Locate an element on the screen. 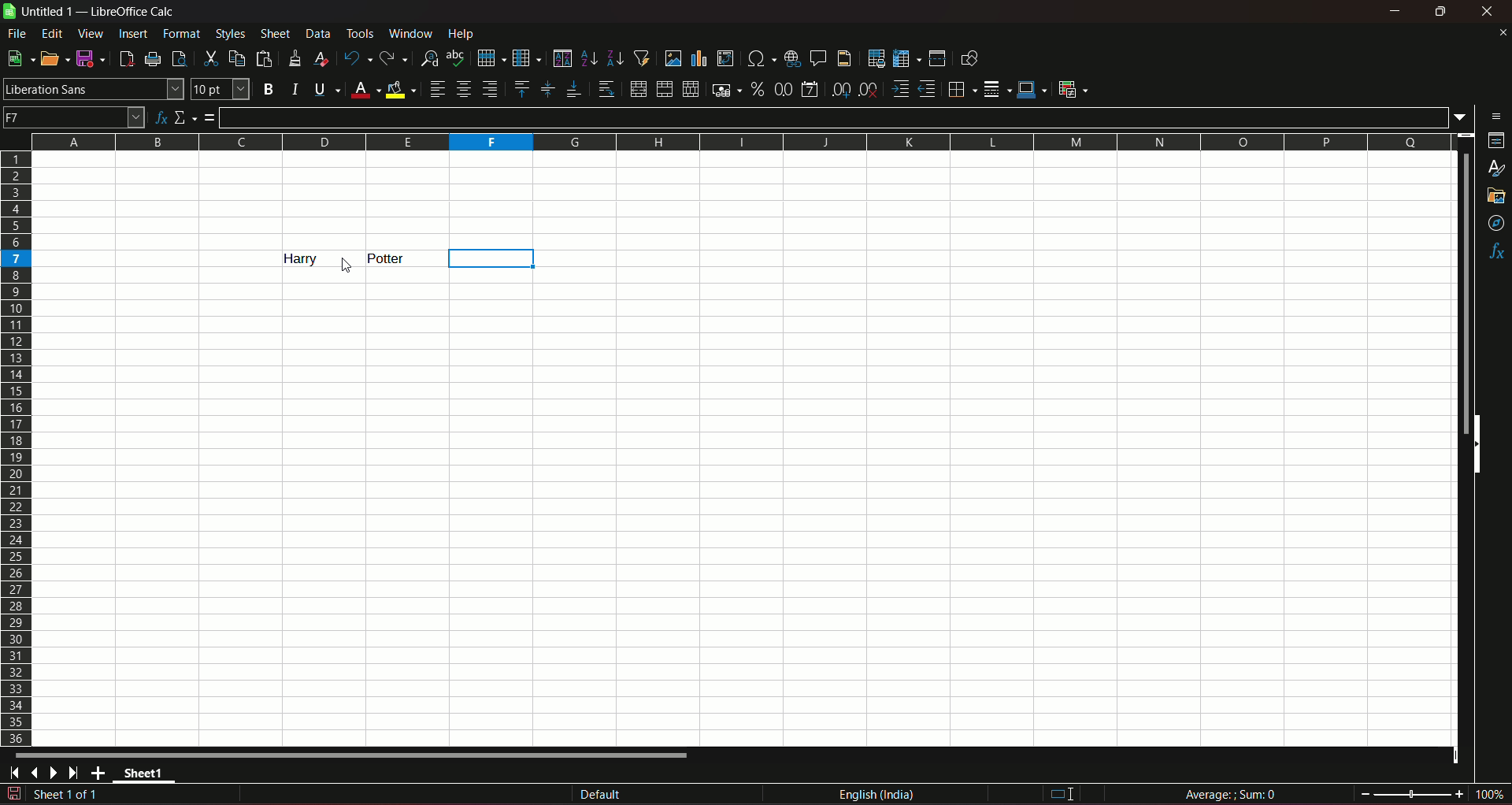  clone formatting is located at coordinates (296, 57).